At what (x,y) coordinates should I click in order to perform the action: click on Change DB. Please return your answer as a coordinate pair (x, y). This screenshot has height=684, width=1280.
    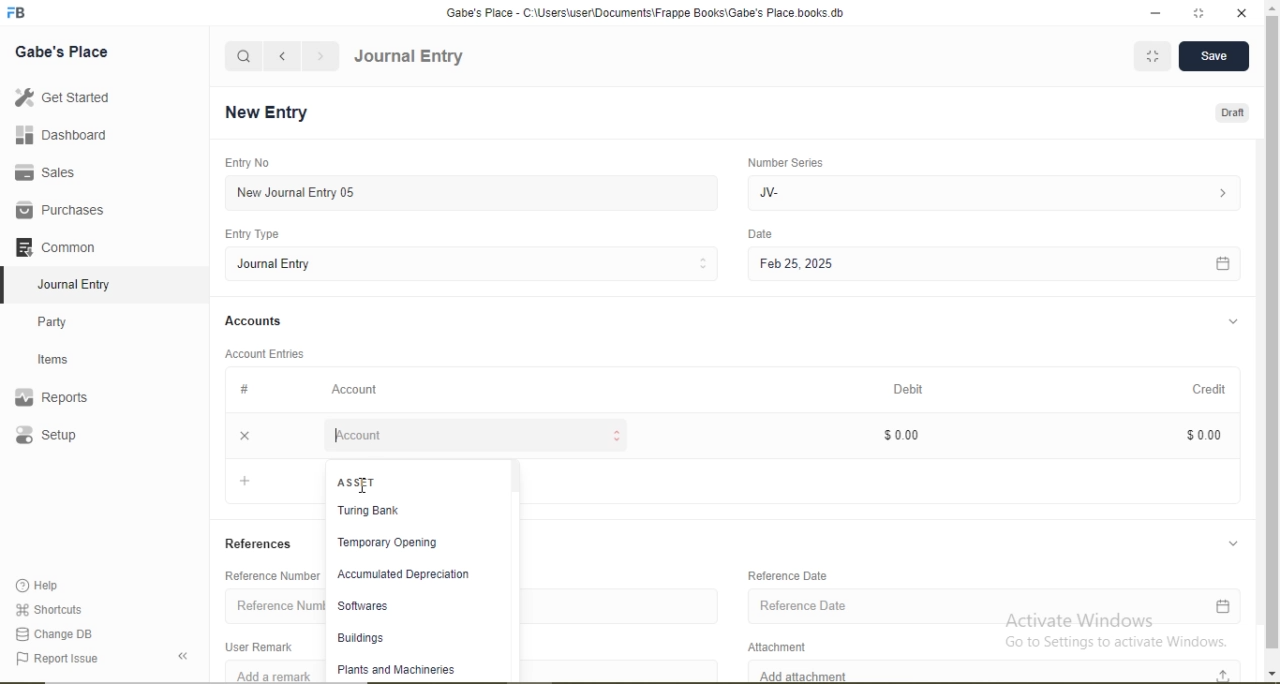
    Looking at the image, I should click on (55, 633).